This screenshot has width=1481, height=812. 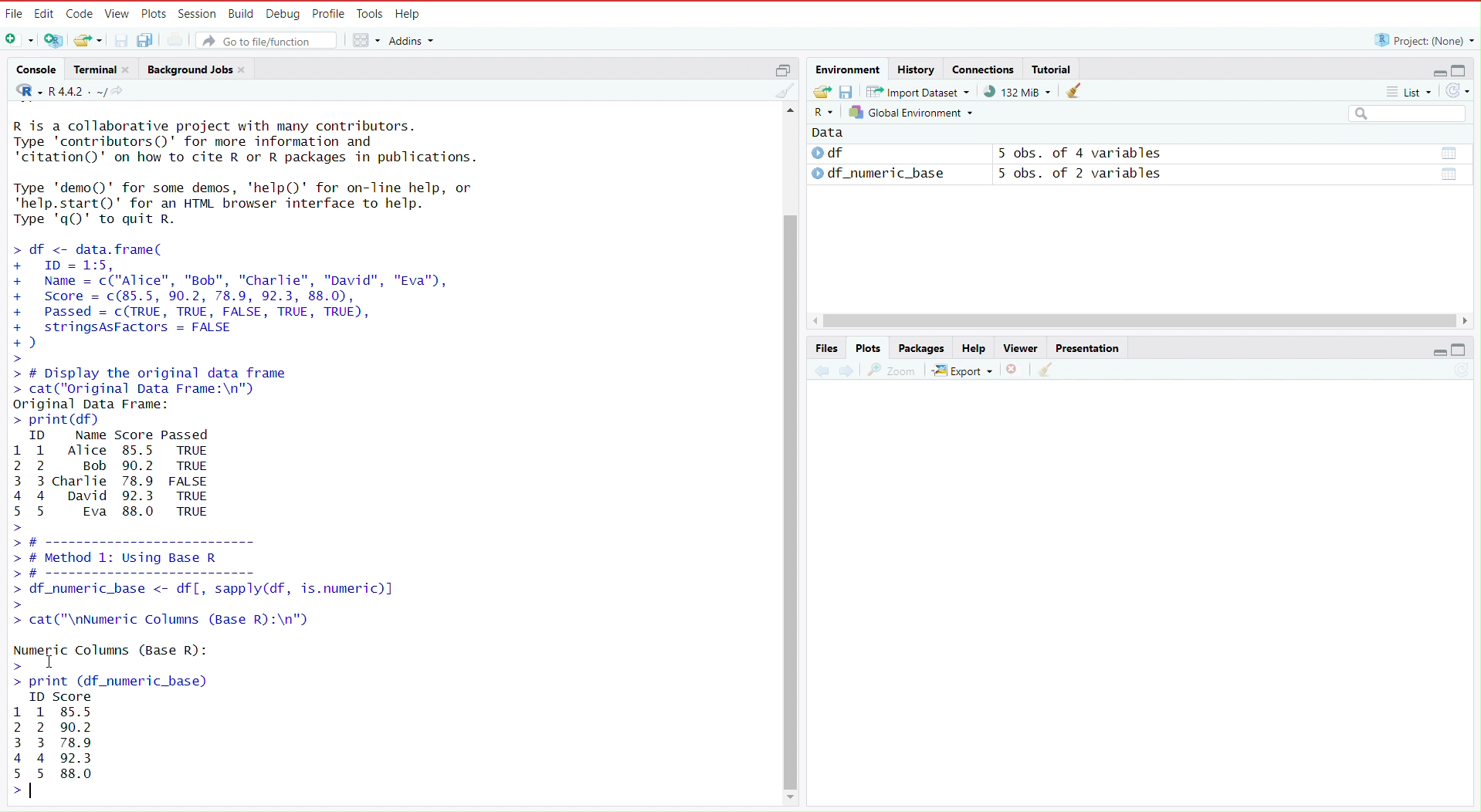 What do you see at coordinates (1087, 345) in the screenshot?
I see `Presentation` at bounding box center [1087, 345].